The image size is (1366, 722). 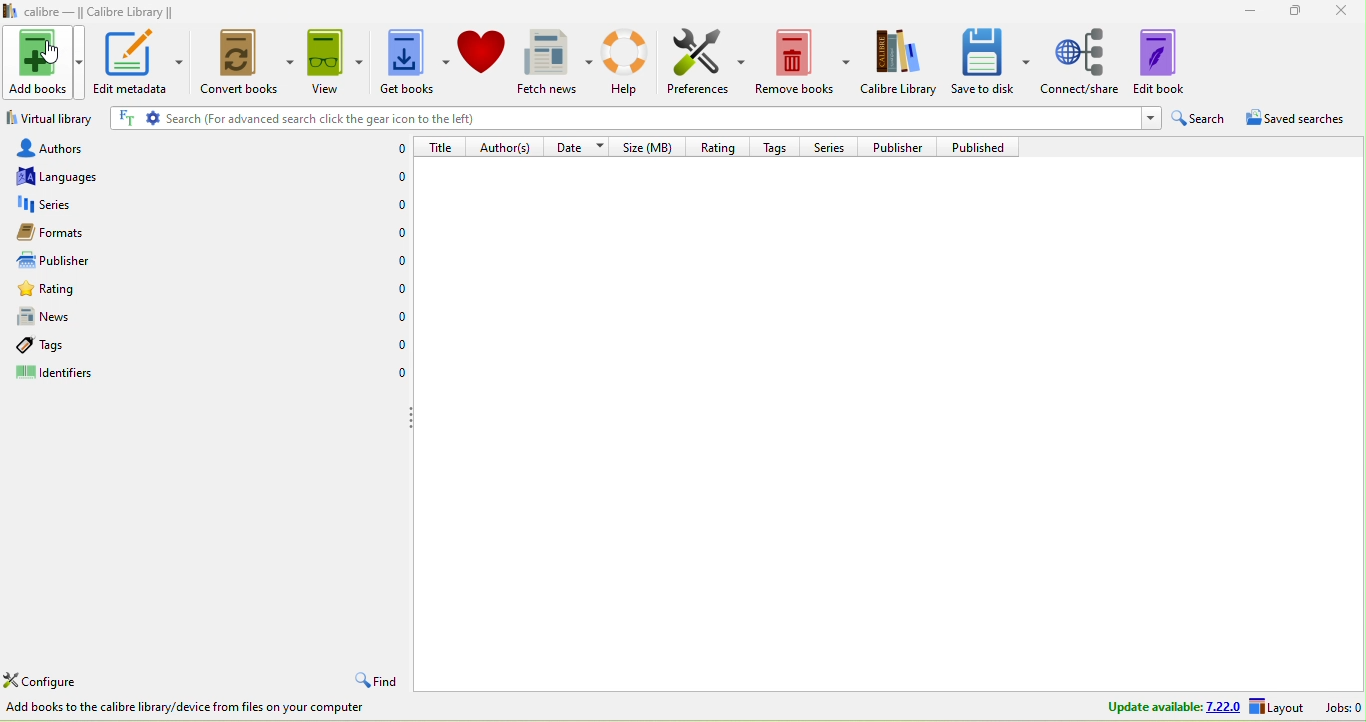 I want to click on close, so click(x=1346, y=13).